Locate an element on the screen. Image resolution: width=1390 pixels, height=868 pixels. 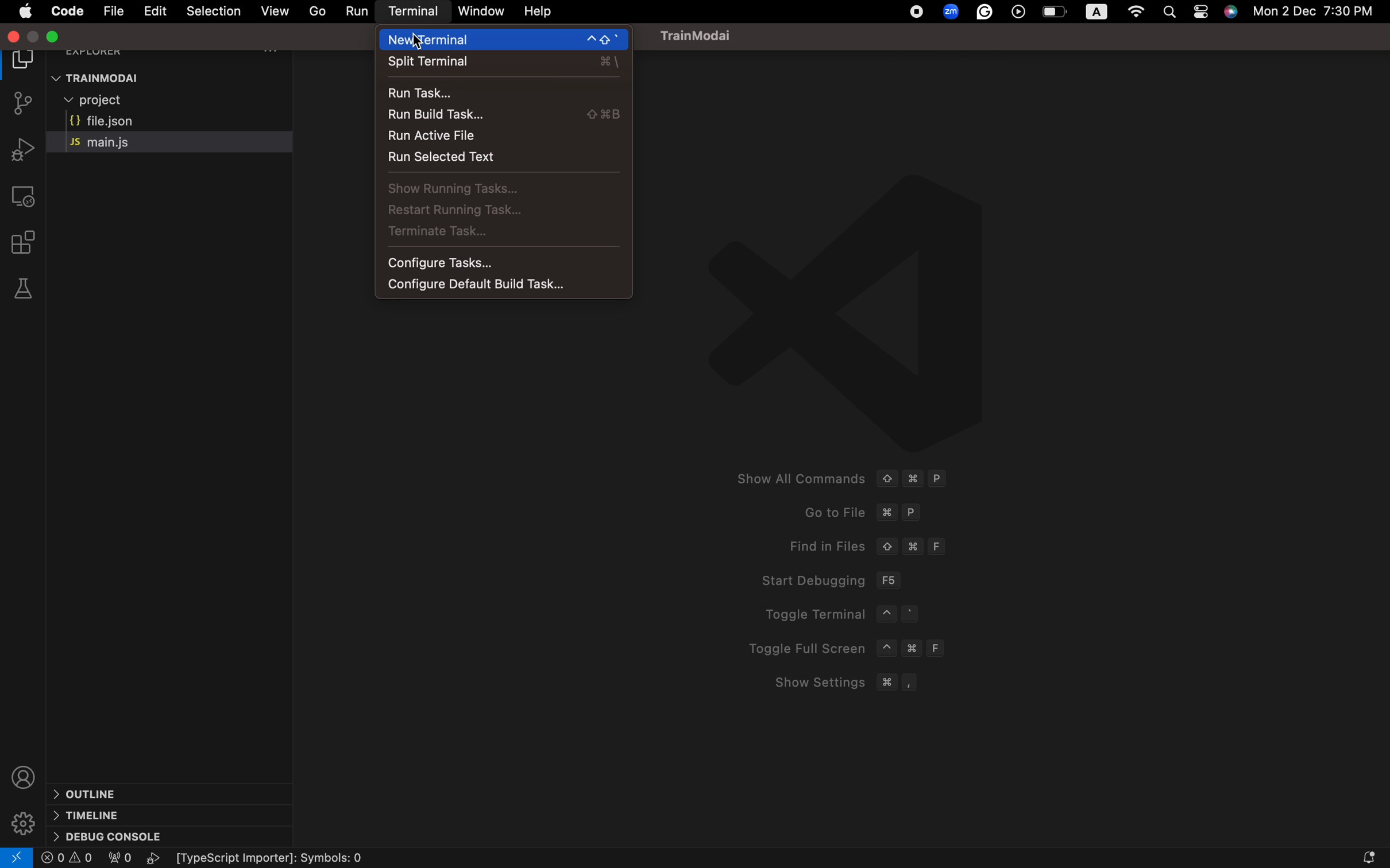
extensions is located at coordinates (28, 242).